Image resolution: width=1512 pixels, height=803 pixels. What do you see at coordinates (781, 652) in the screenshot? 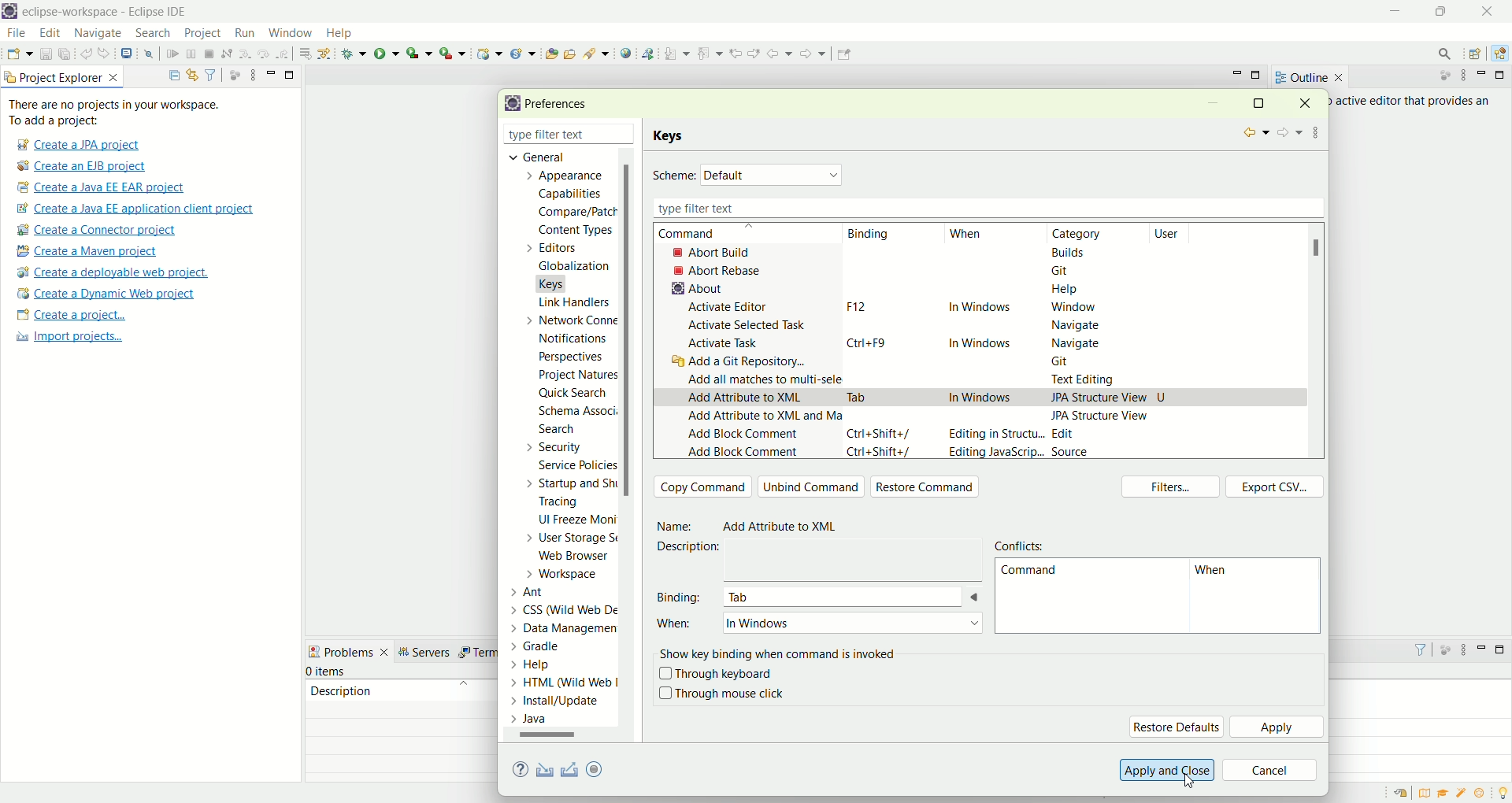
I see `show key binding when command is involved` at bounding box center [781, 652].